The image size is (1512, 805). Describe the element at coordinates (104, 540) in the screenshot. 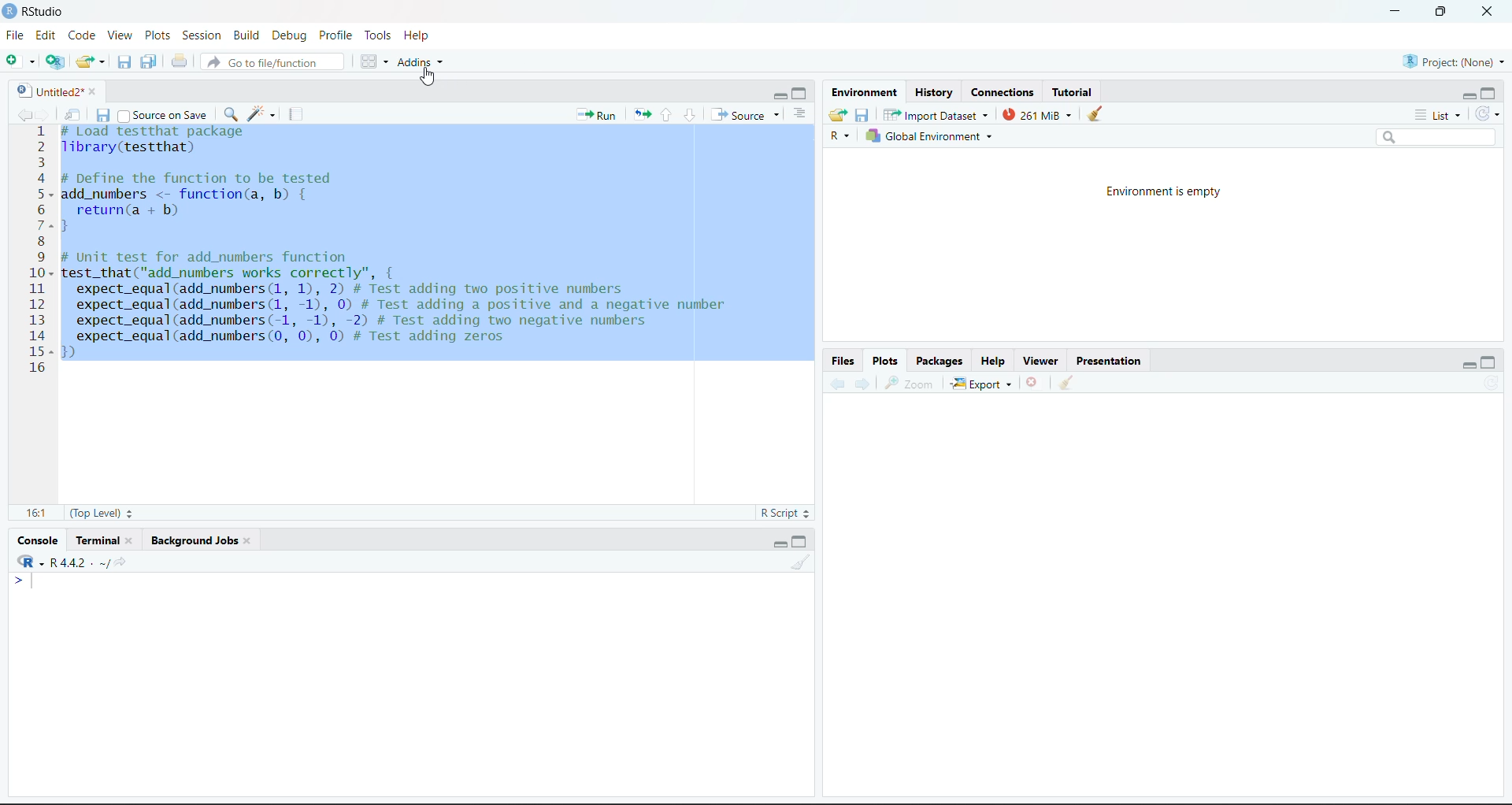

I see `Terminal` at that location.